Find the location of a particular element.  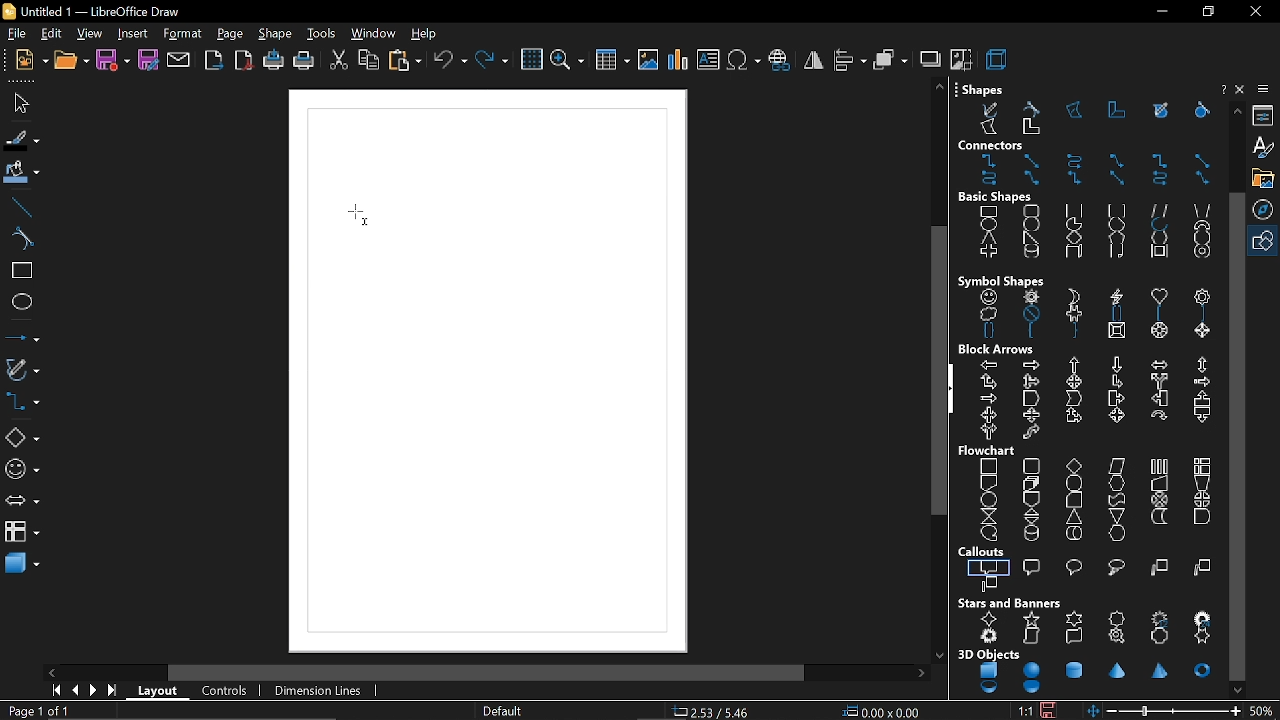

polygon 45 filled is located at coordinates (1030, 129).